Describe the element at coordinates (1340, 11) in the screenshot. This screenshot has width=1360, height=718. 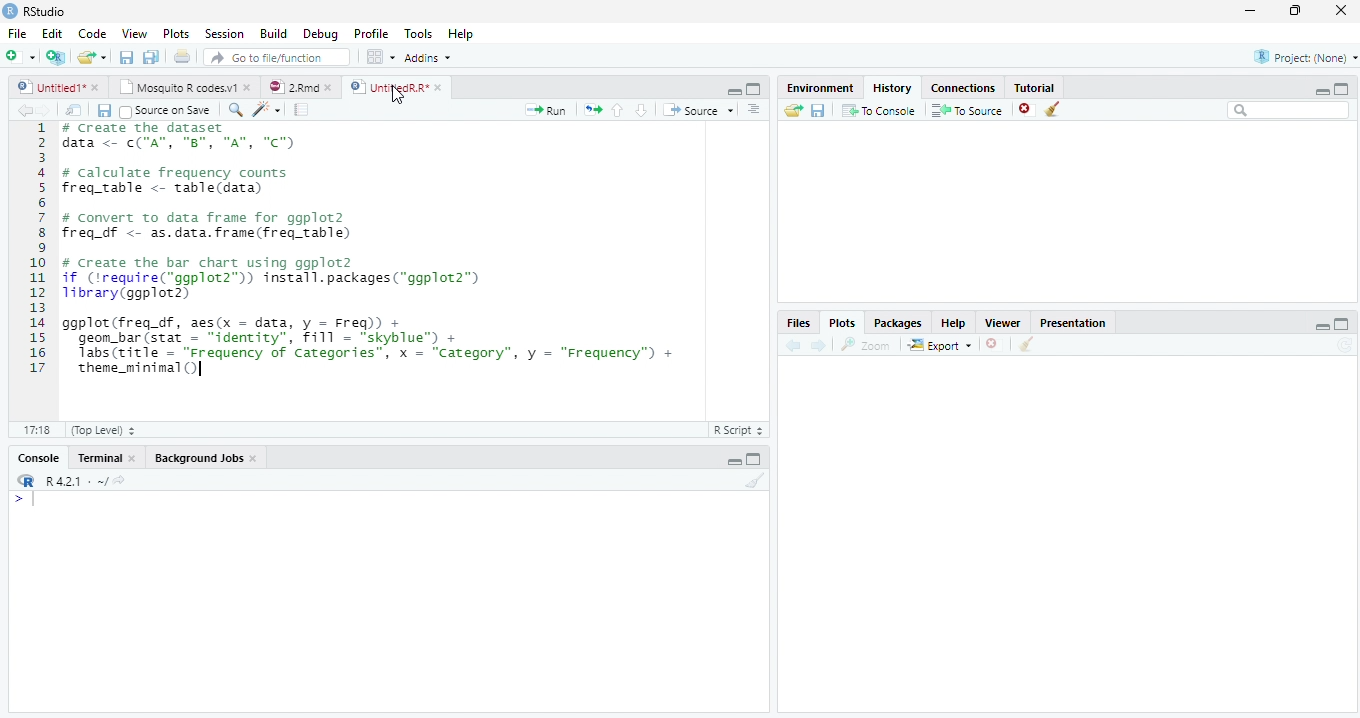
I see `Close` at that location.